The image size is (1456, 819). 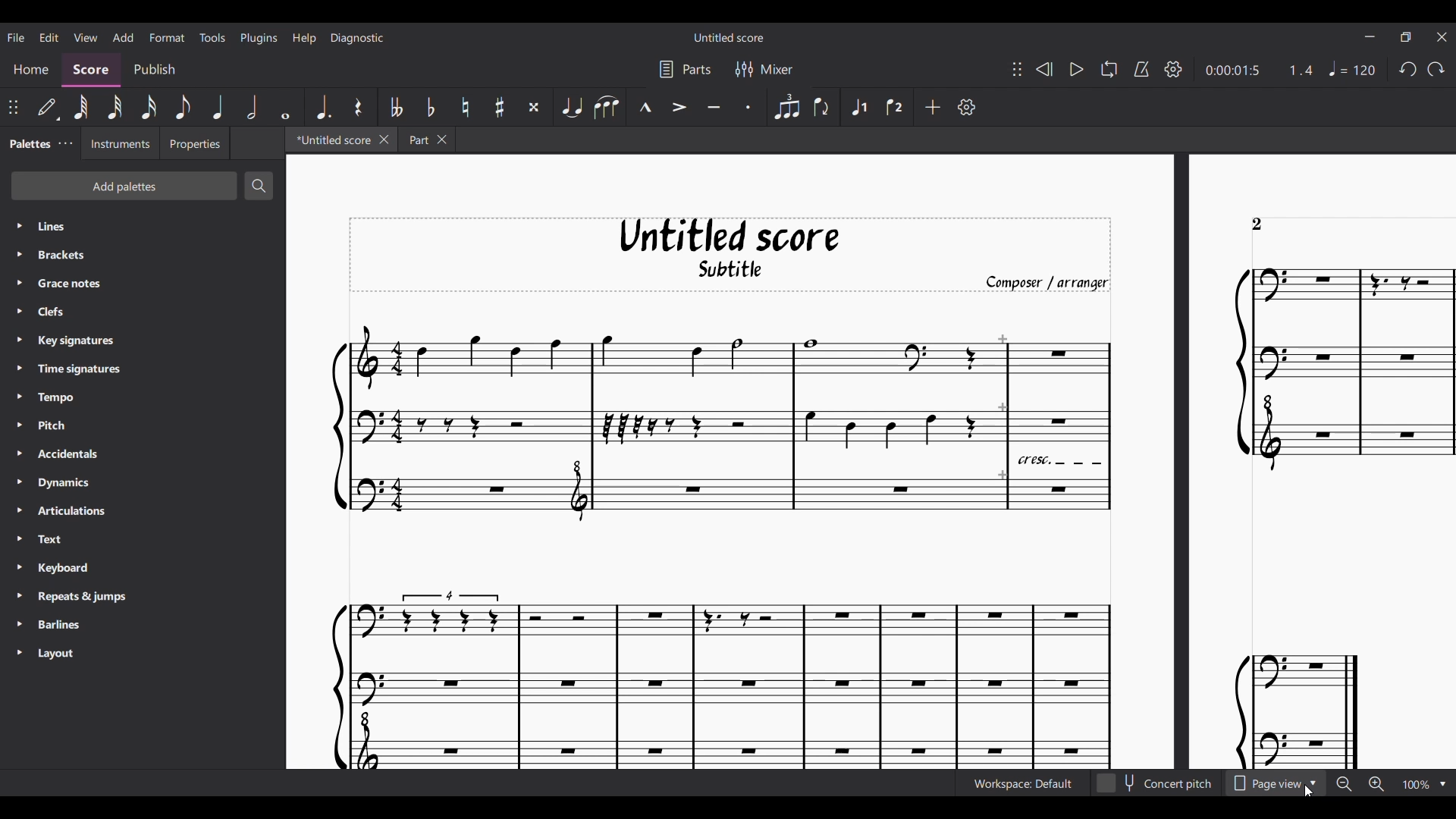 I want to click on Flip direction, so click(x=822, y=107).